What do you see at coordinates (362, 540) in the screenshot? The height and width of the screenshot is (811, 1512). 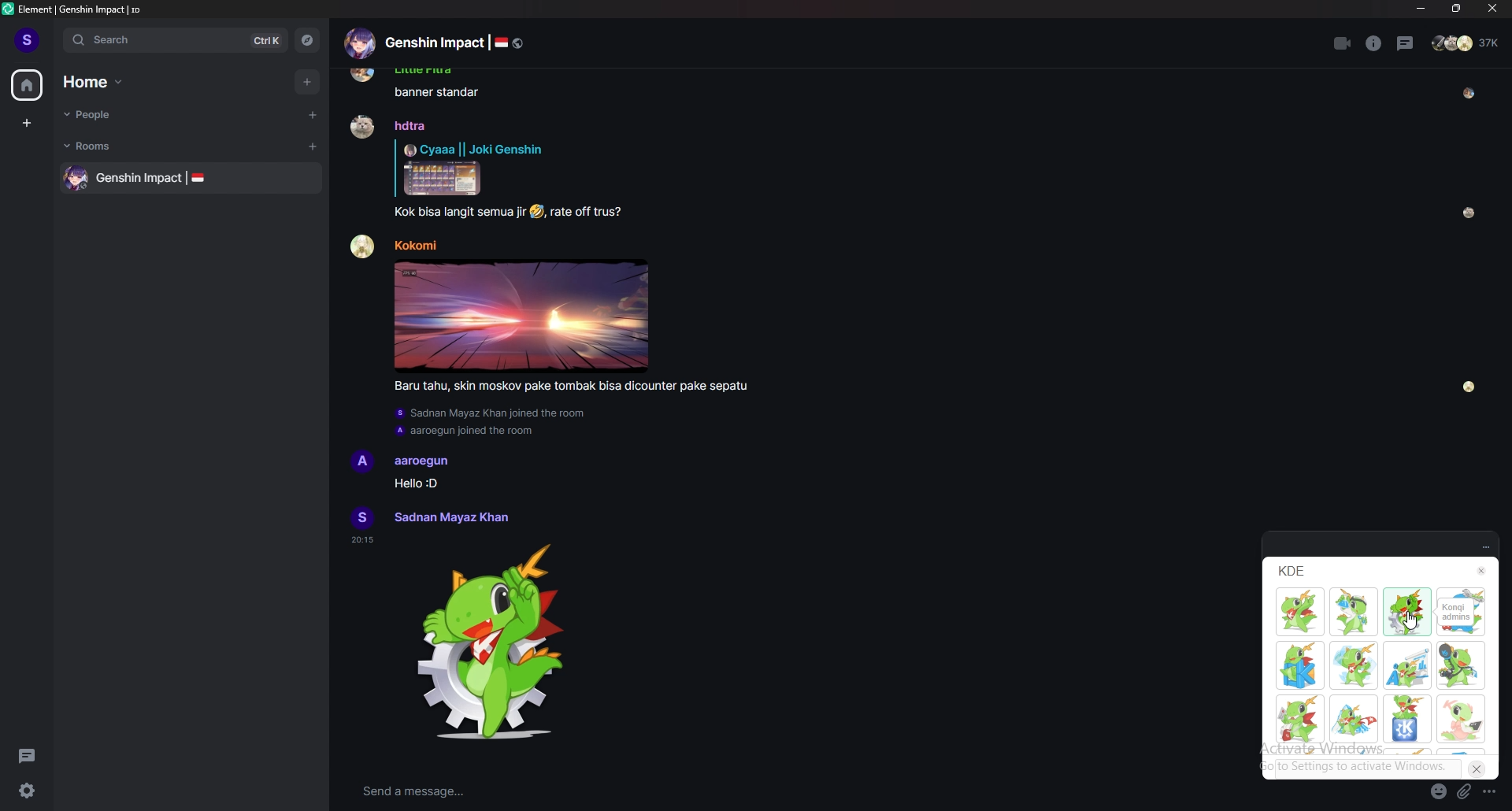 I see `20:15` at bounding box center [362, 540].